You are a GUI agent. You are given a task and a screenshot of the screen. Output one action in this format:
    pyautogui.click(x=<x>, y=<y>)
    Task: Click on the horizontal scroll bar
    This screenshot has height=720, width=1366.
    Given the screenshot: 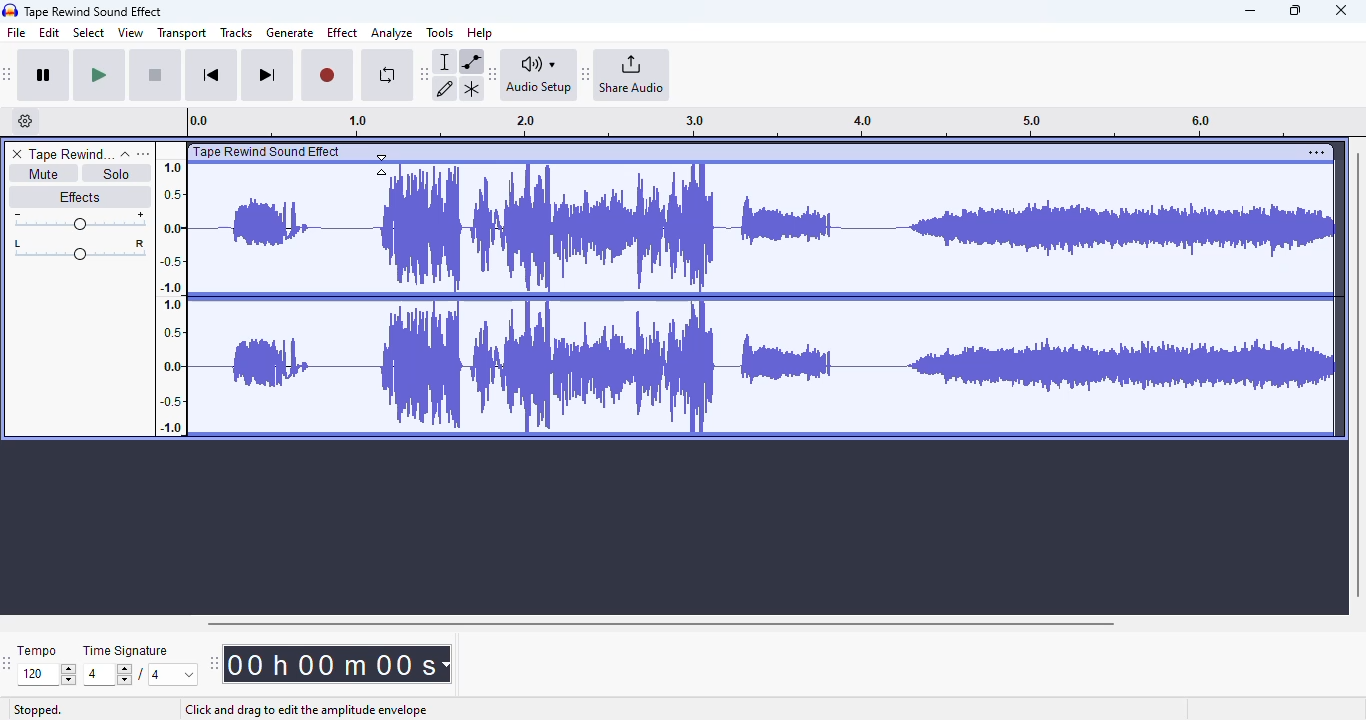 What is the action you would take?
    pyautogui.click(x=660, y=623)
    